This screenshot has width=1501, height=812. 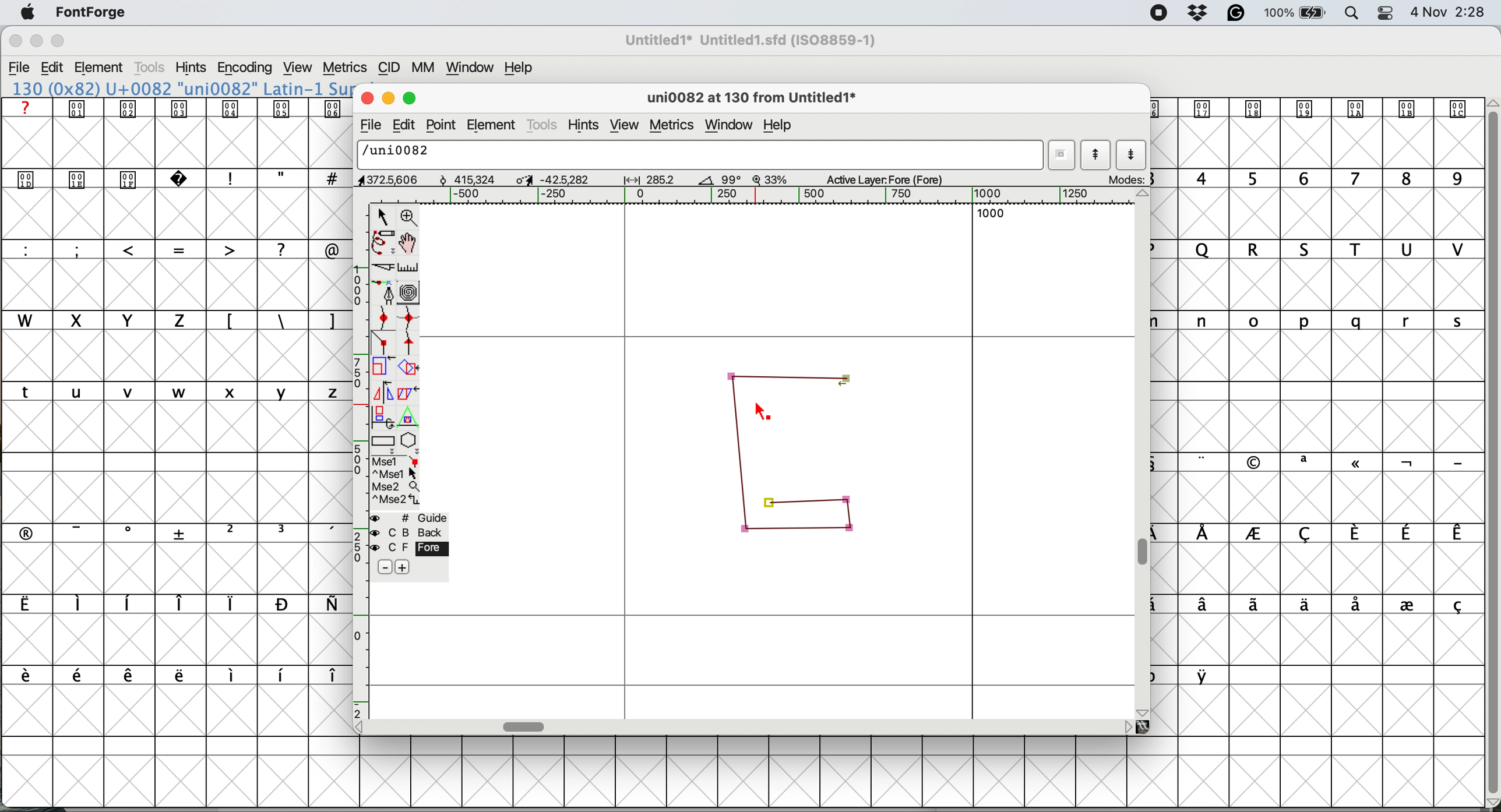 I want to click on fontforge, so click(x=92, y=12).